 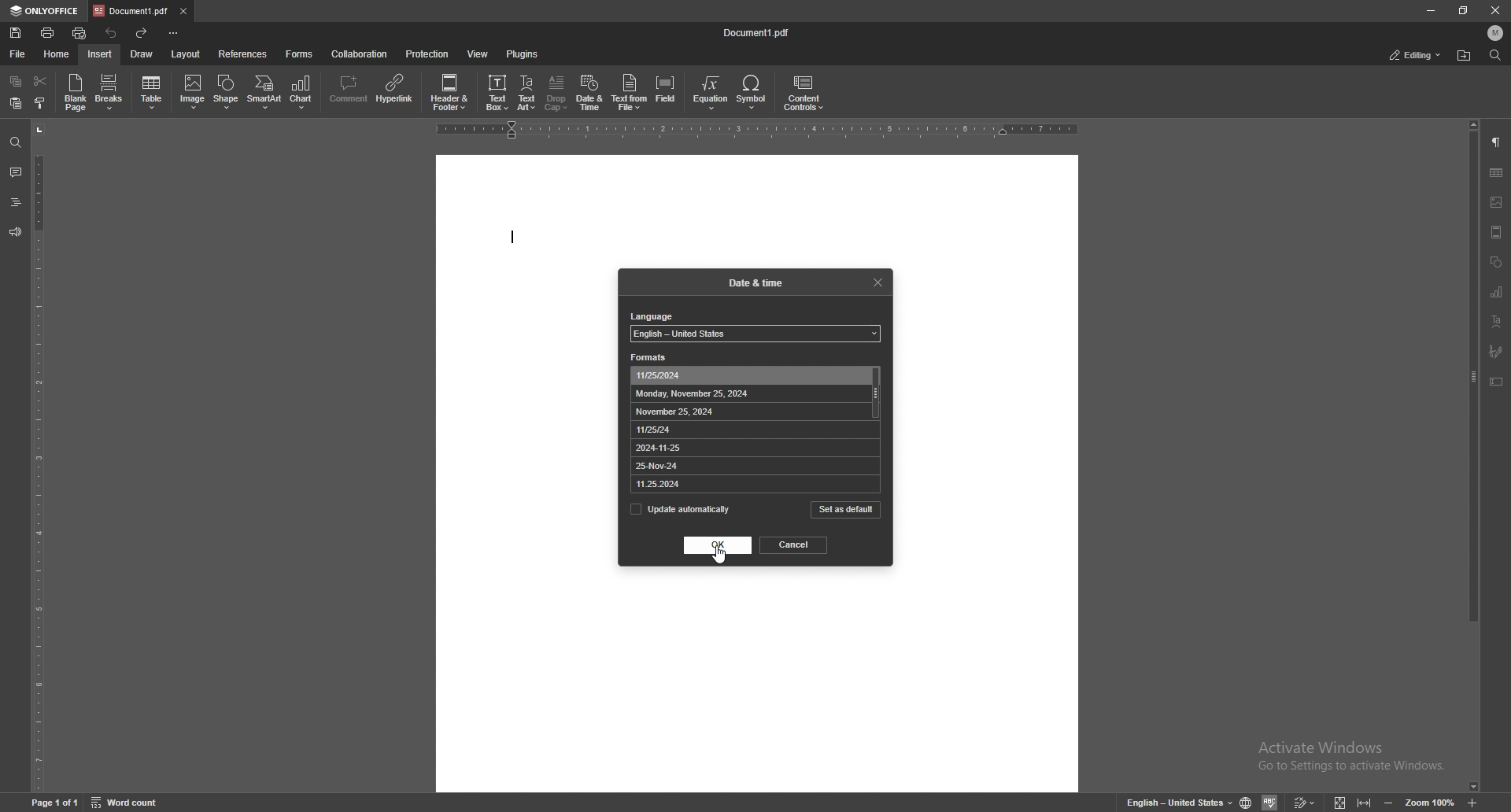 I want to click on profile, so click(x=1494, y=32).